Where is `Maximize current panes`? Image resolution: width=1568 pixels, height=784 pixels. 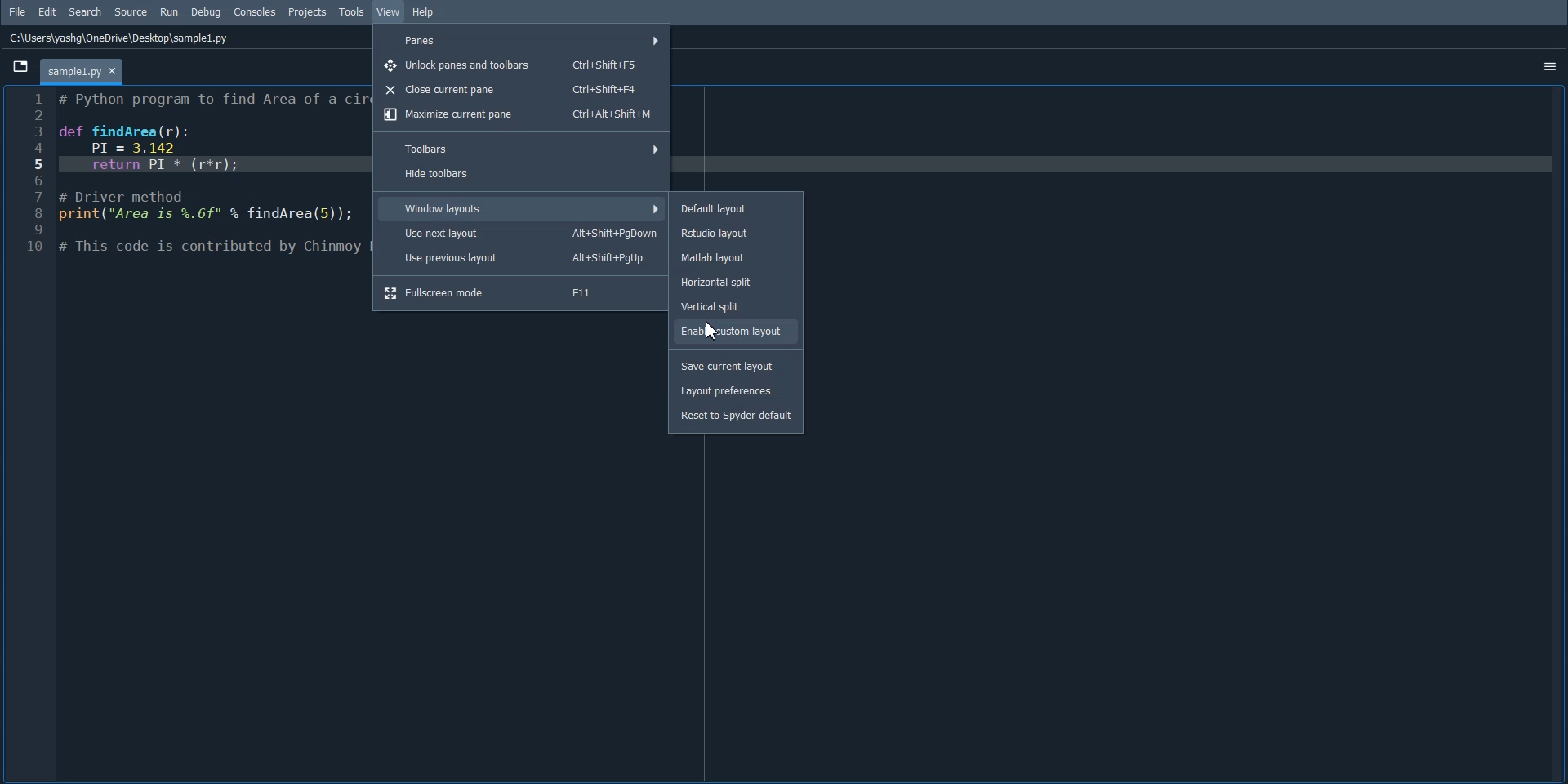
Maximize current panes is located at coordinates (519, 114).